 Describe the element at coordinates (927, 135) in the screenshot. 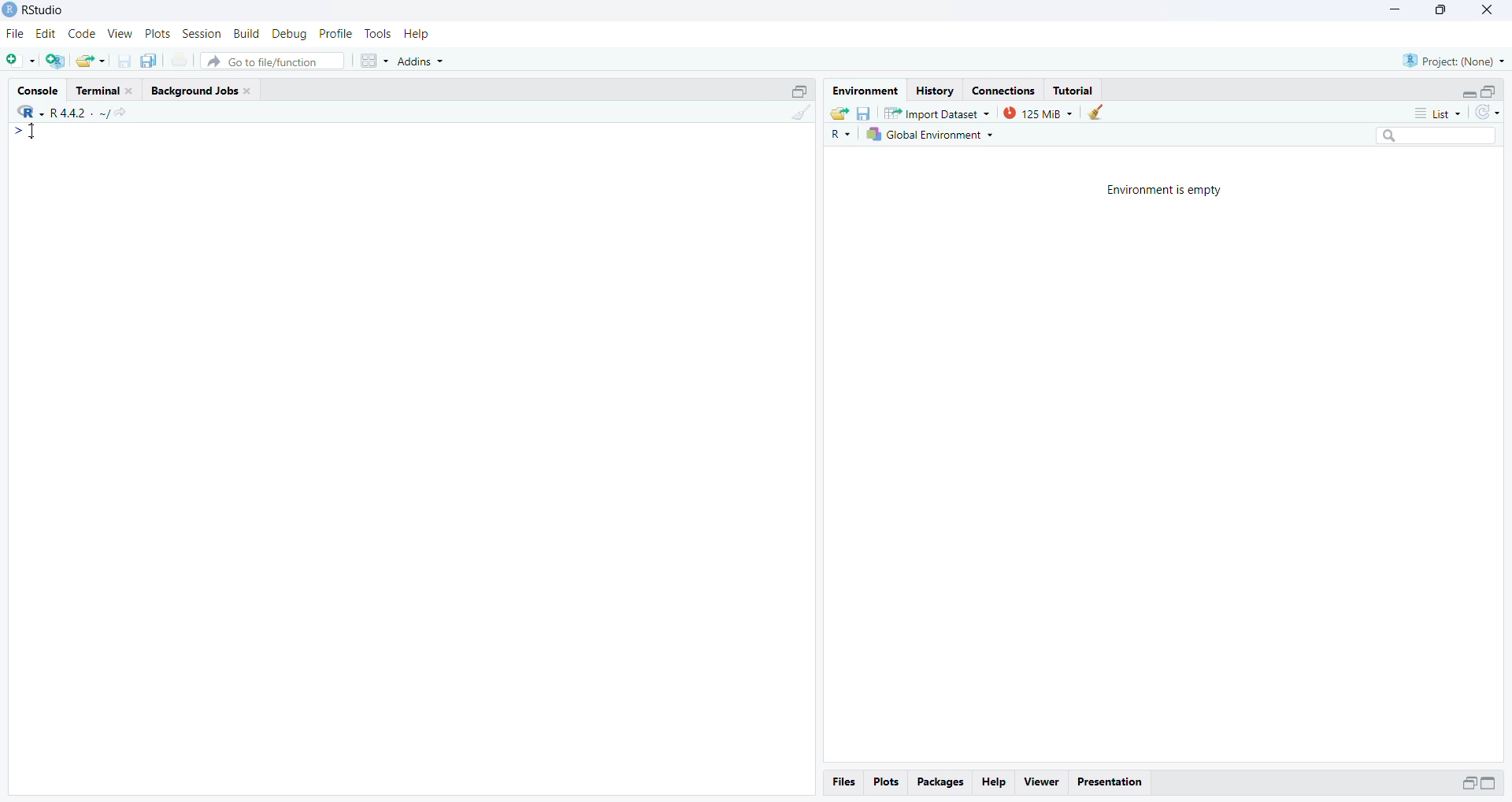

I see `global environment` at that location.